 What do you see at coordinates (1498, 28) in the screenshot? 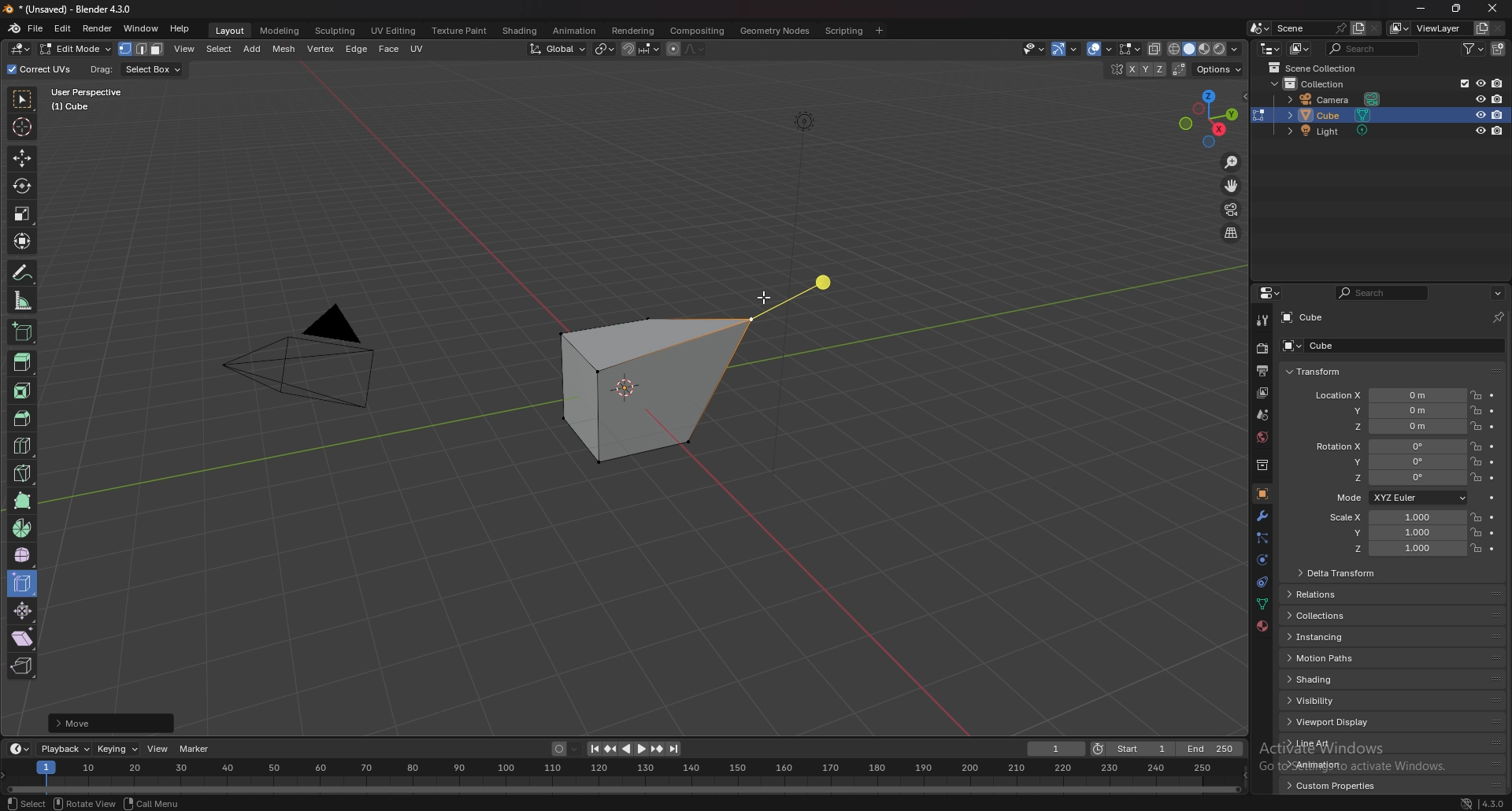
I see `remove view layer` at bounding box center [1498, 28].